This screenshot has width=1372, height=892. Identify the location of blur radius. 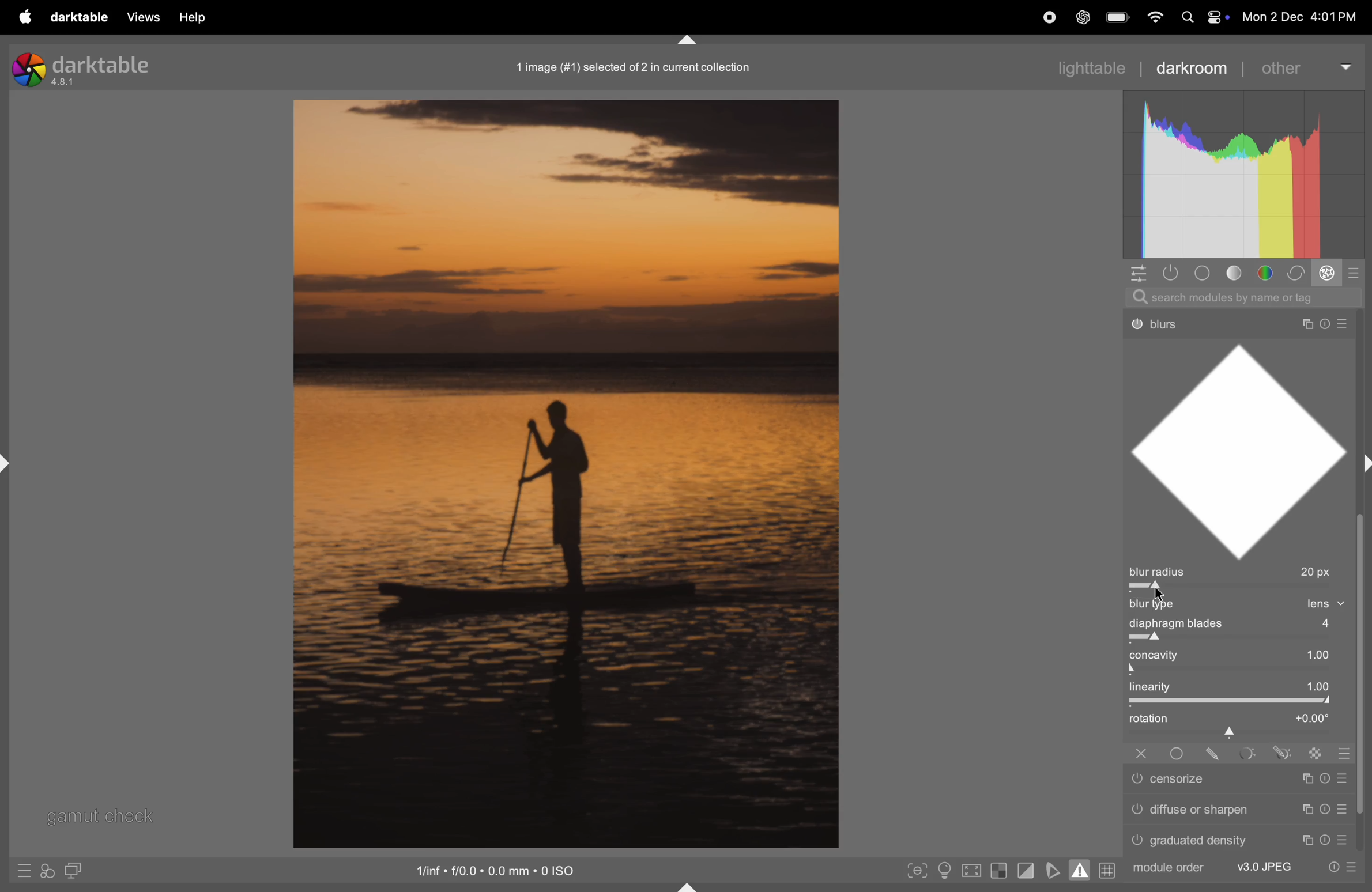
(1238, 572).